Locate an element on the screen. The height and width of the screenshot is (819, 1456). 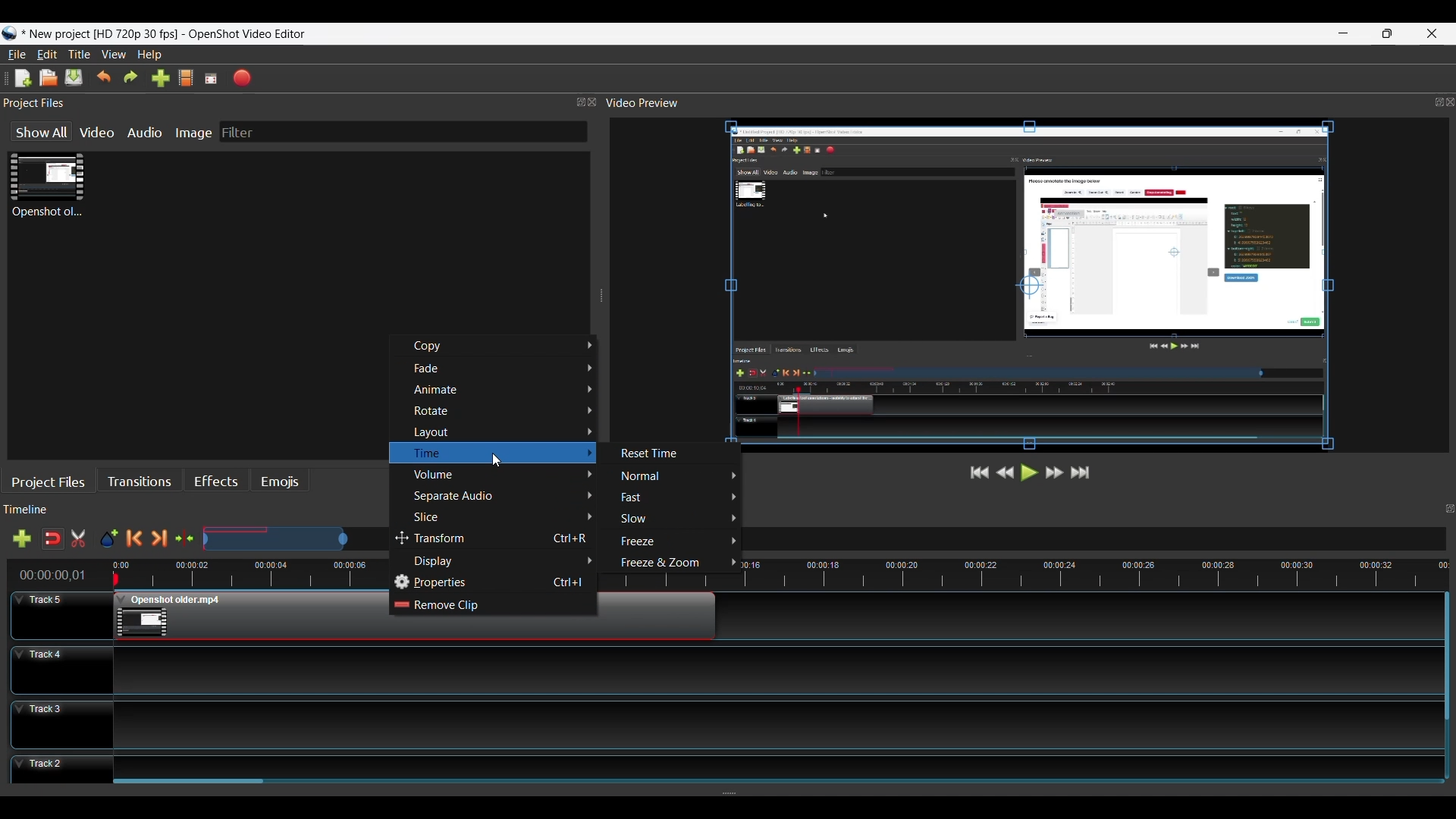
Reset Time is located at coordinates (657, 454).